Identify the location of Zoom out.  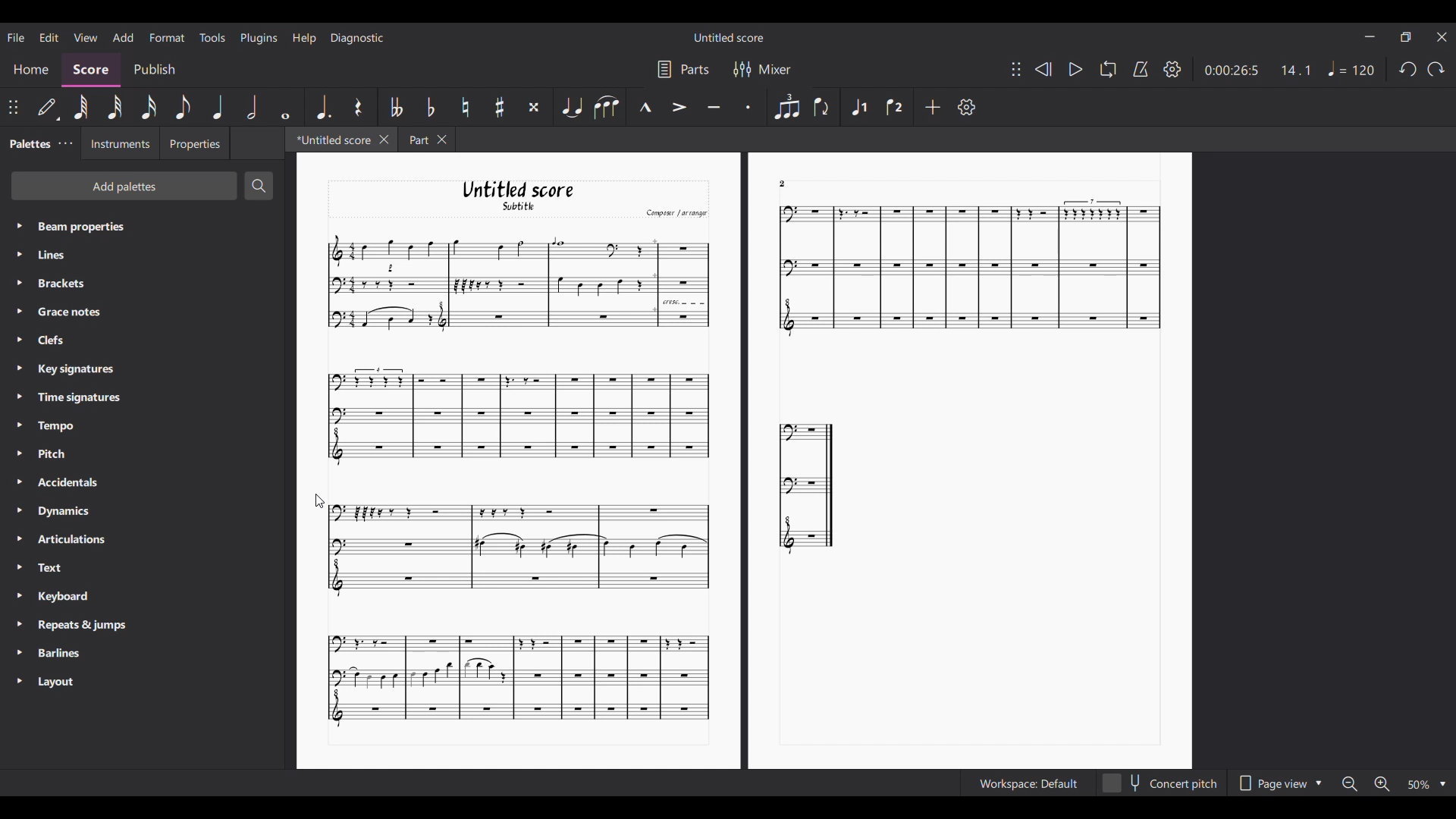
(1348, 783).